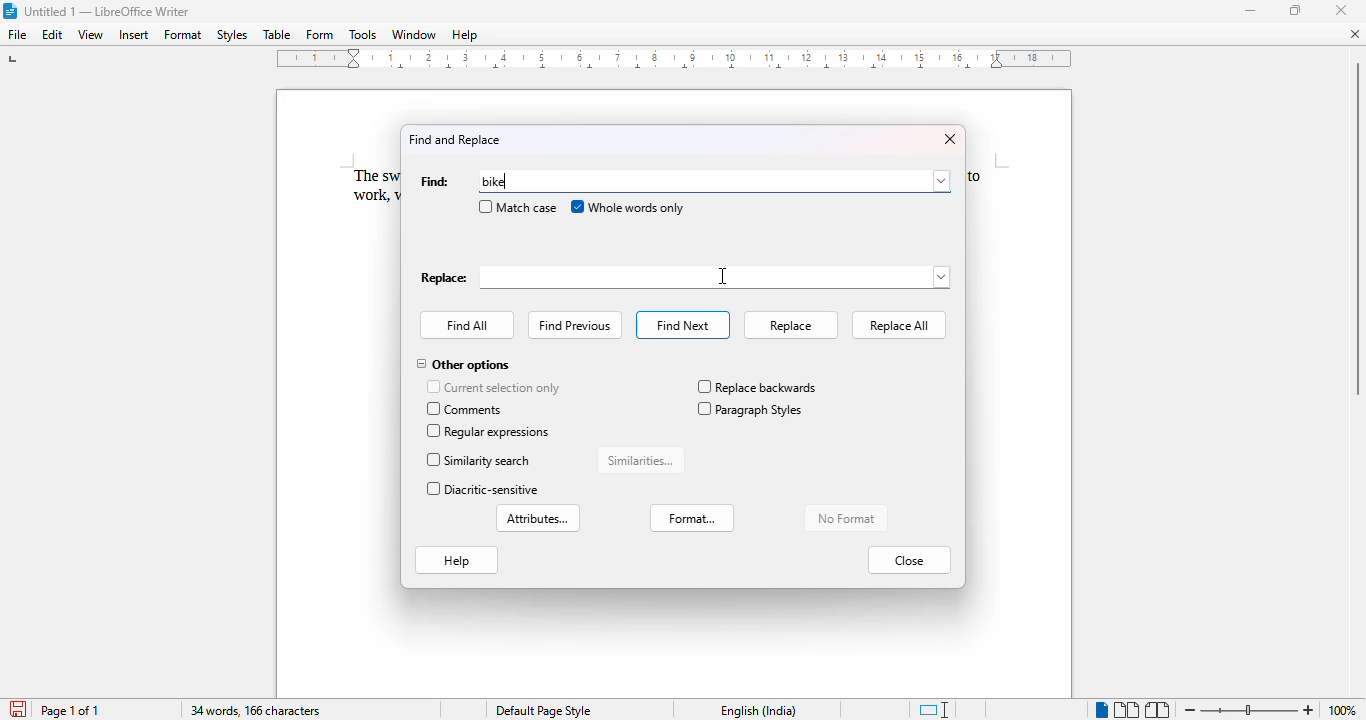  What do you see at coordinates (184, 34) in the screenshot?
I see `format` at bounding box center [184, 34].